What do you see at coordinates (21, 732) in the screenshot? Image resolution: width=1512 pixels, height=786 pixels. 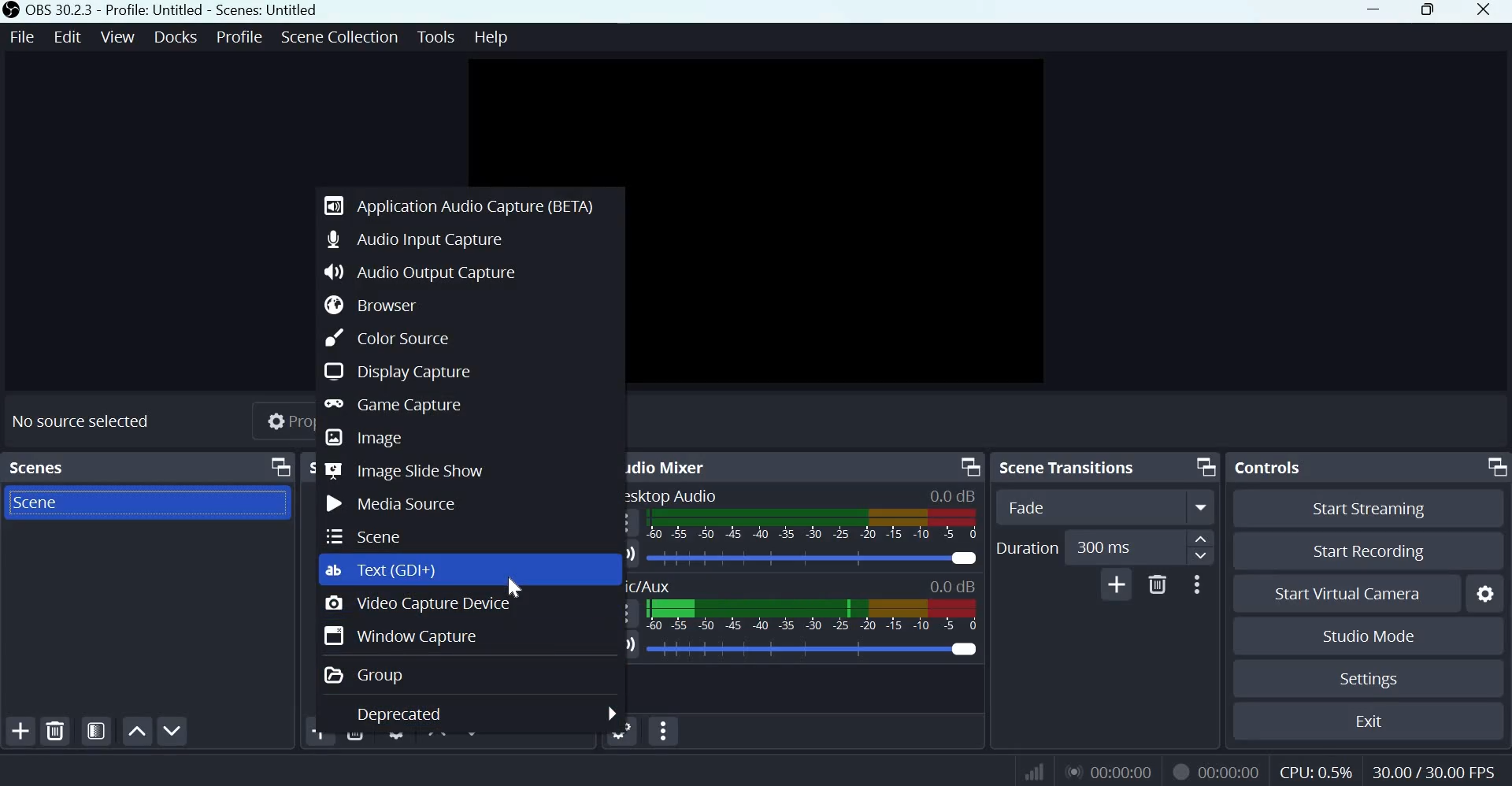 I see `Add scene` at bounding box center [21, 732].